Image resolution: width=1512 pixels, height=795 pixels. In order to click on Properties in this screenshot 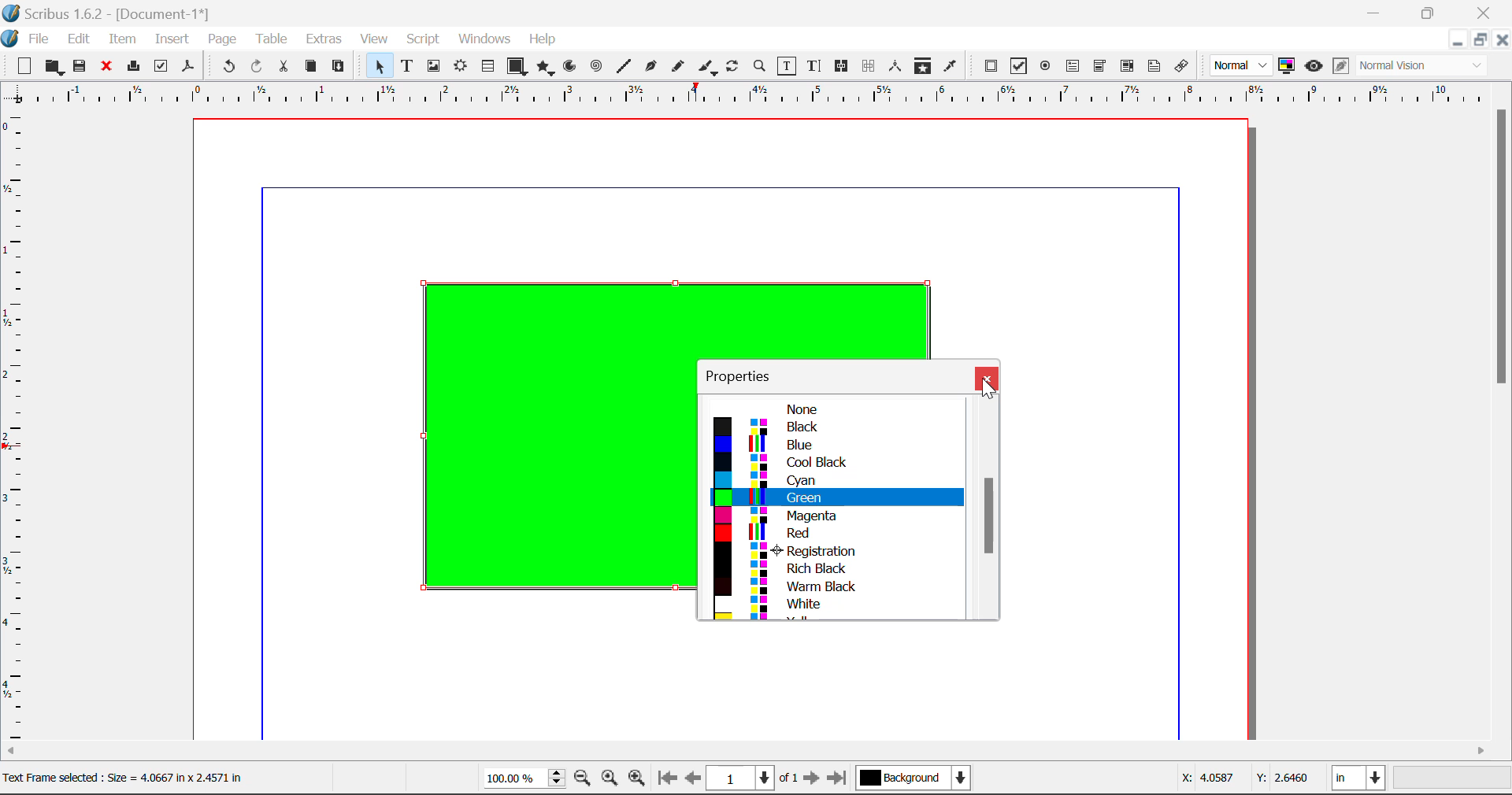, I will do `click(748, 374)`.